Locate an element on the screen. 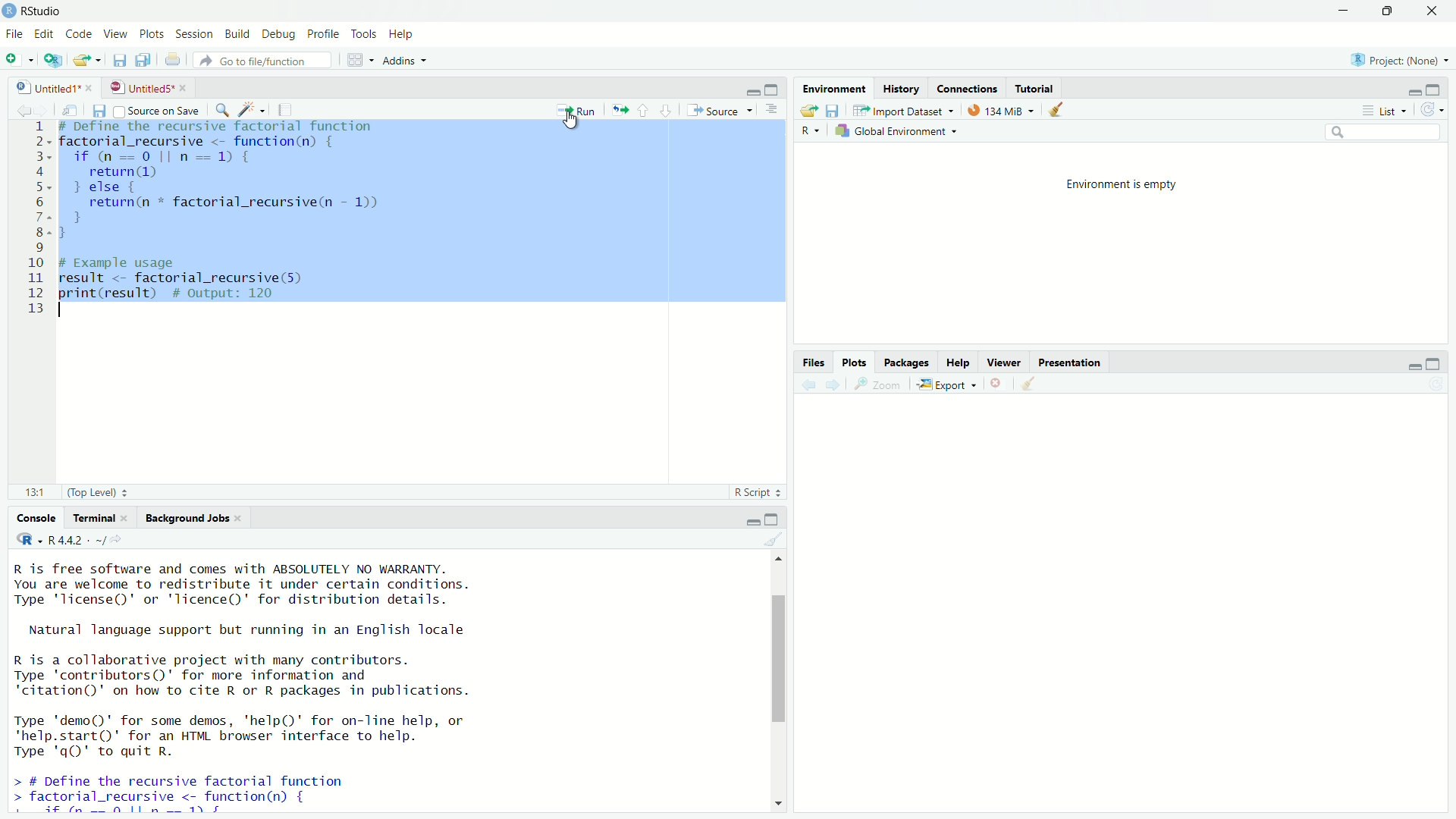  Plots is located at coordinates (857, 361).